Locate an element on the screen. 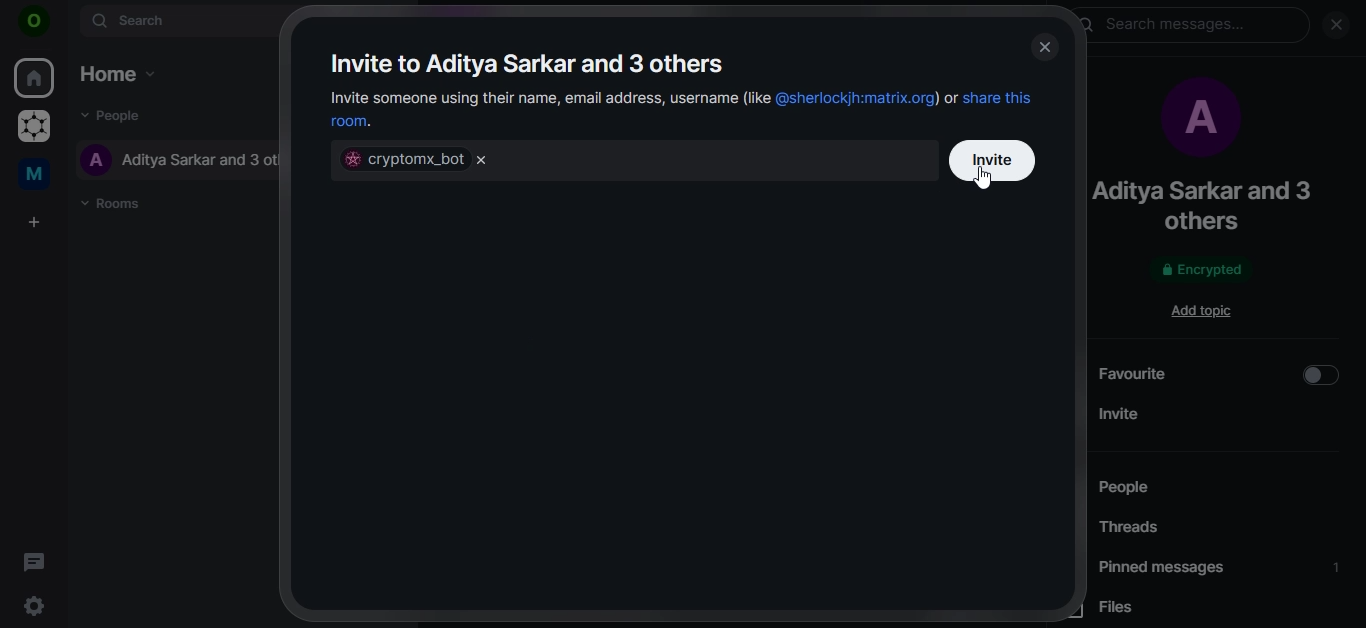  home is located at coordinates (117, 70).